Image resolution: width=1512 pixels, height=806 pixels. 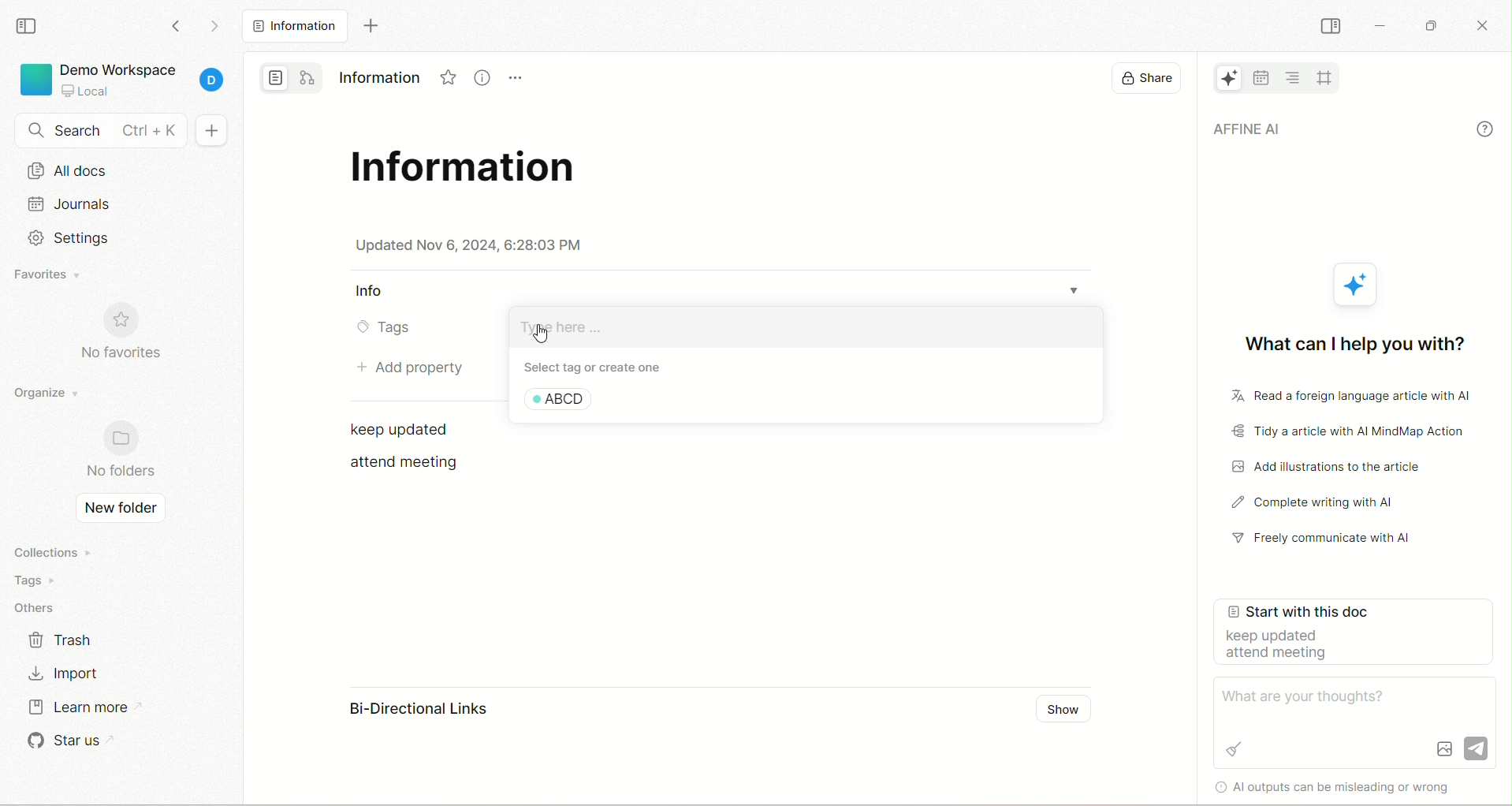 What do you see at coordinates (121, 510) in the screenshot?
I see `new folder` at bounding box center [121, 510].